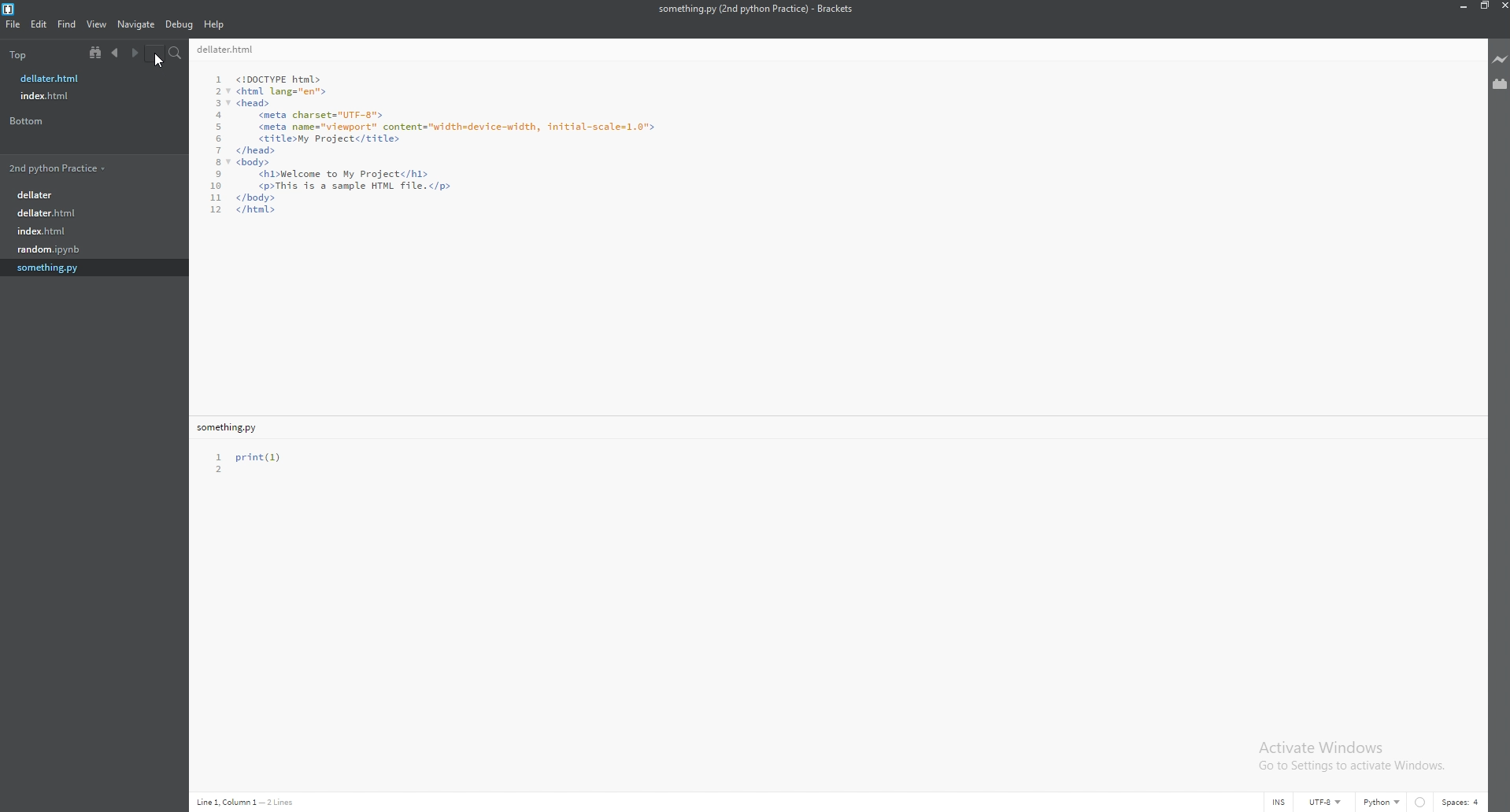 The height and width of the screenshot is (812, 1510). I want to click on cursor mode, so click(1279, 802).